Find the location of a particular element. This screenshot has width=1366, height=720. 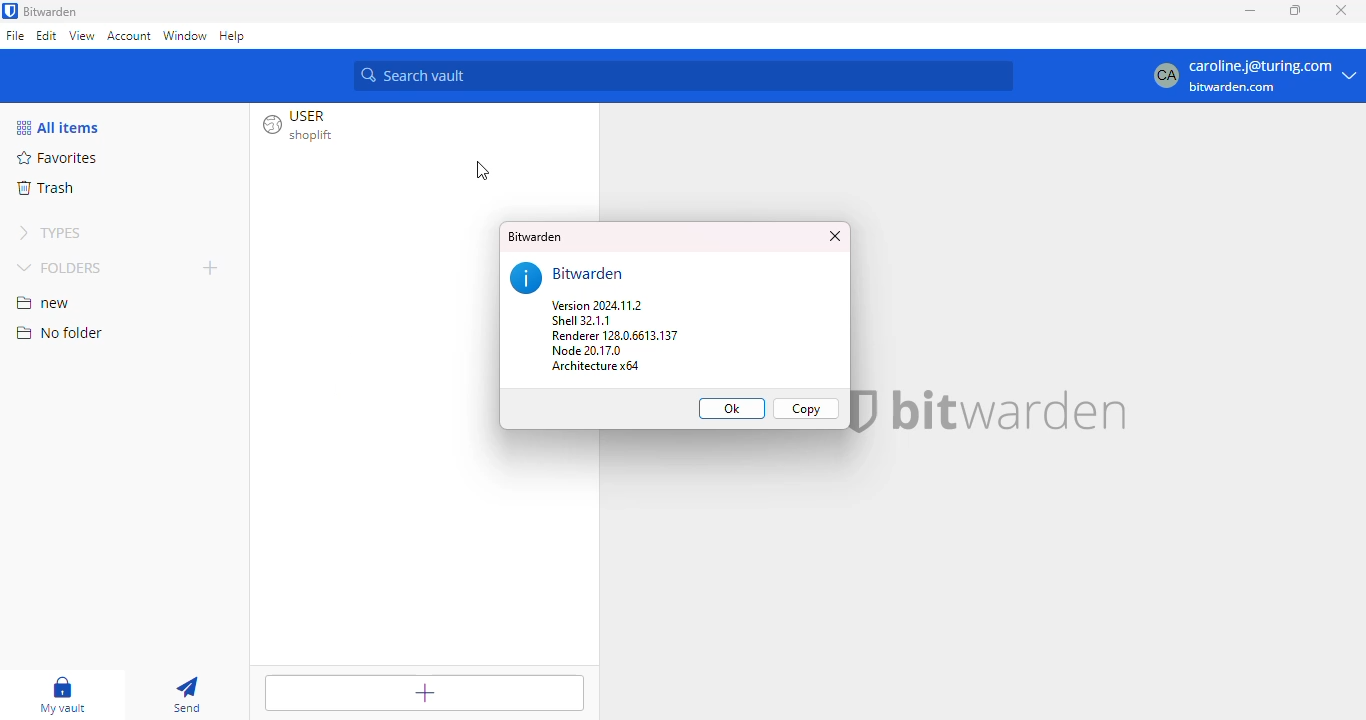

close is located at coordinates (838, 236).